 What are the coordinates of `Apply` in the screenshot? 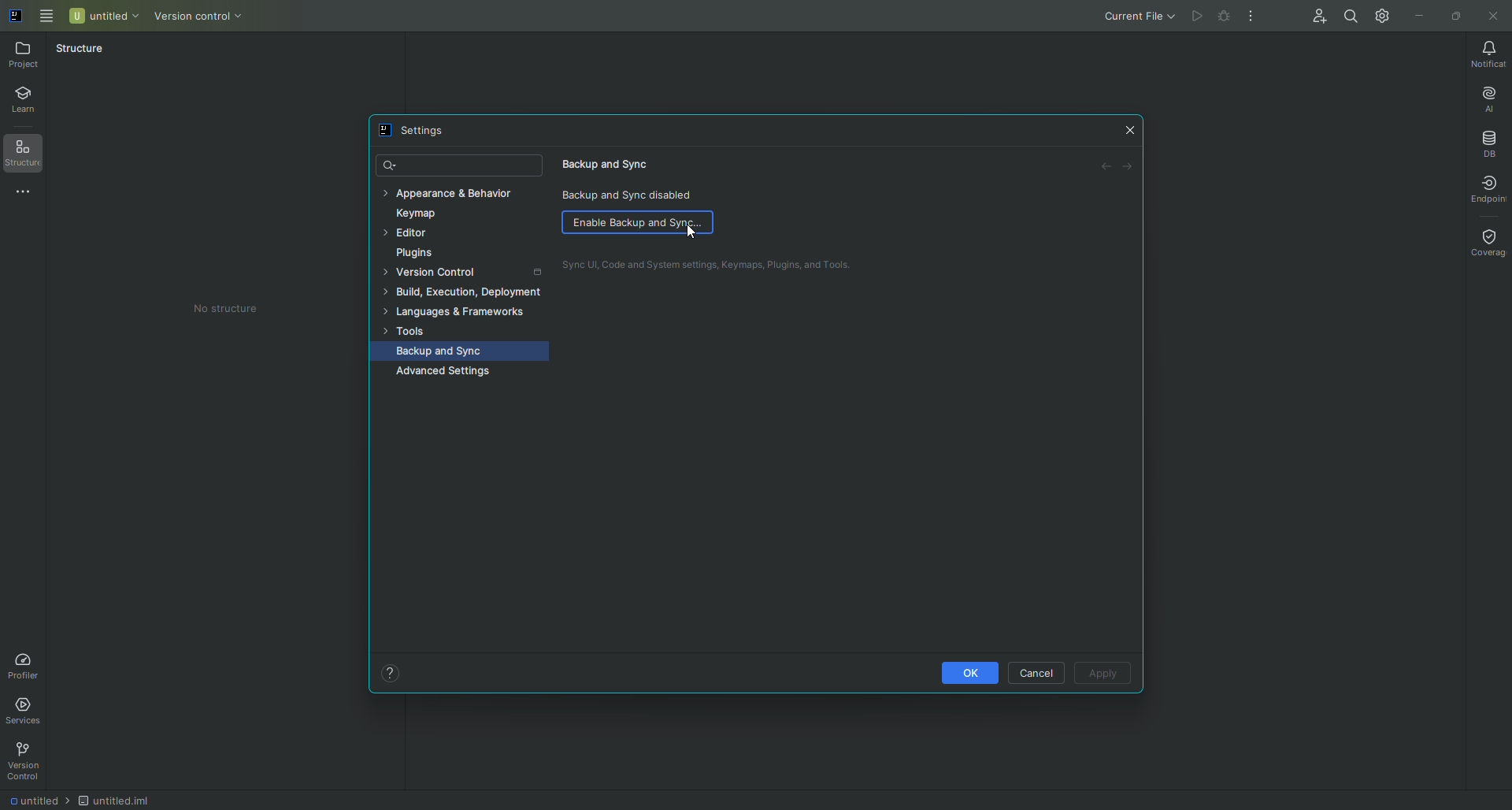 It's located at (1105, 674).